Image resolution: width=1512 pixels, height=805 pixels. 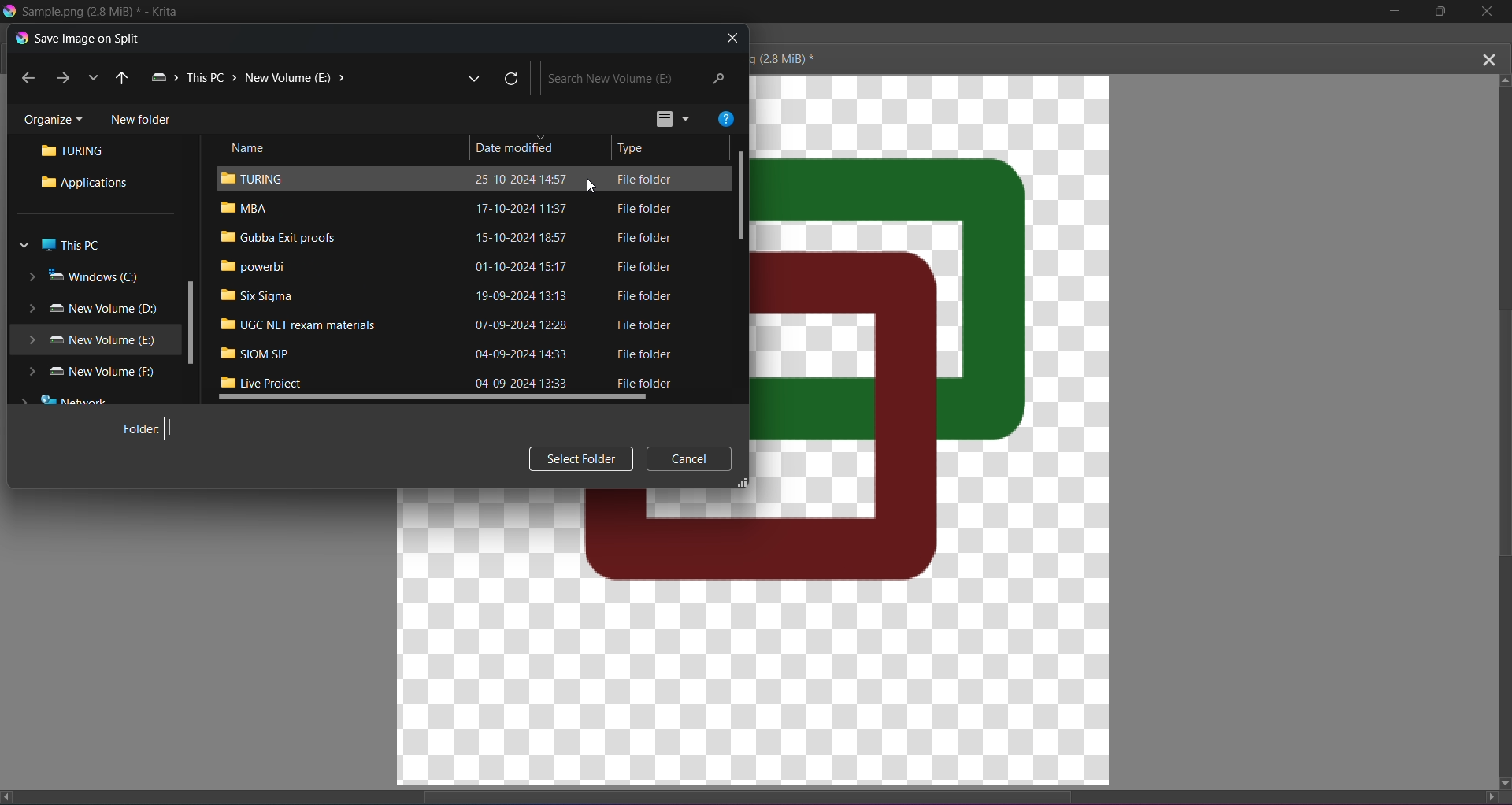 I want to click on Bl ive Proiect 04-00-2024 12:22 Eile folder, so click(x=450, y=381).